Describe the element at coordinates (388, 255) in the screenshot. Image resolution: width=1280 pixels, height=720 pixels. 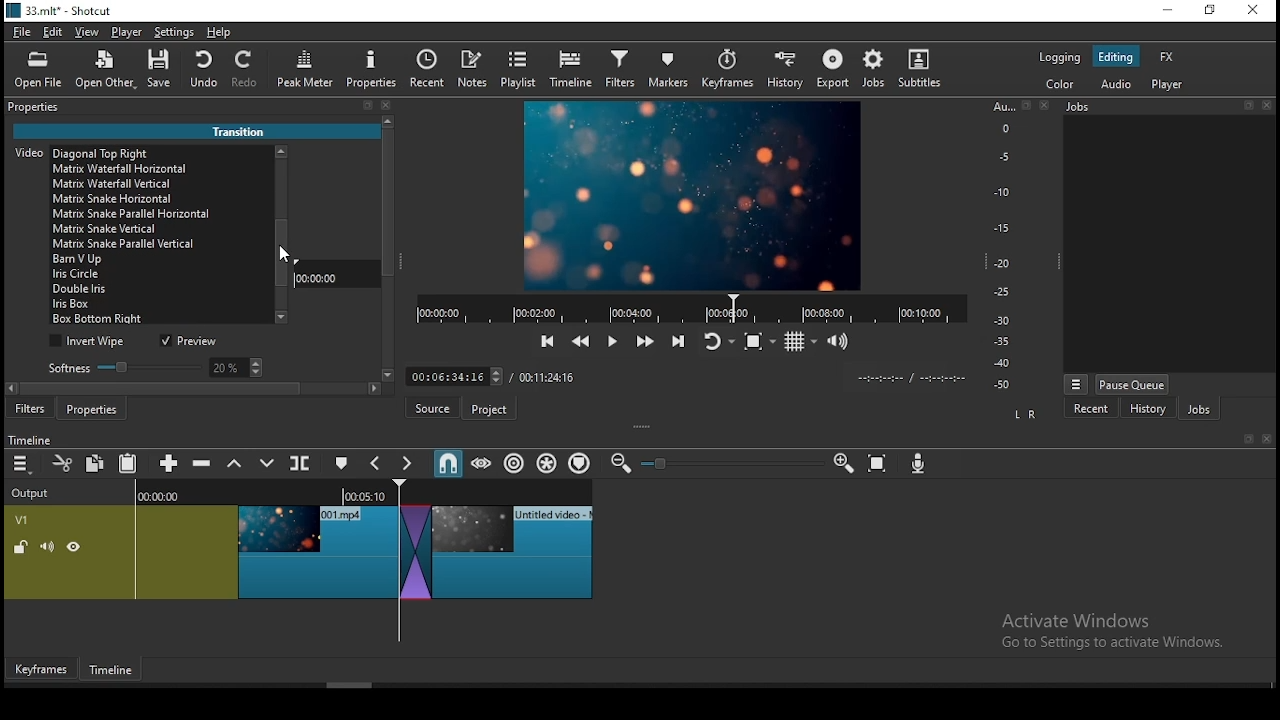
I see `scroll bar` at that location.